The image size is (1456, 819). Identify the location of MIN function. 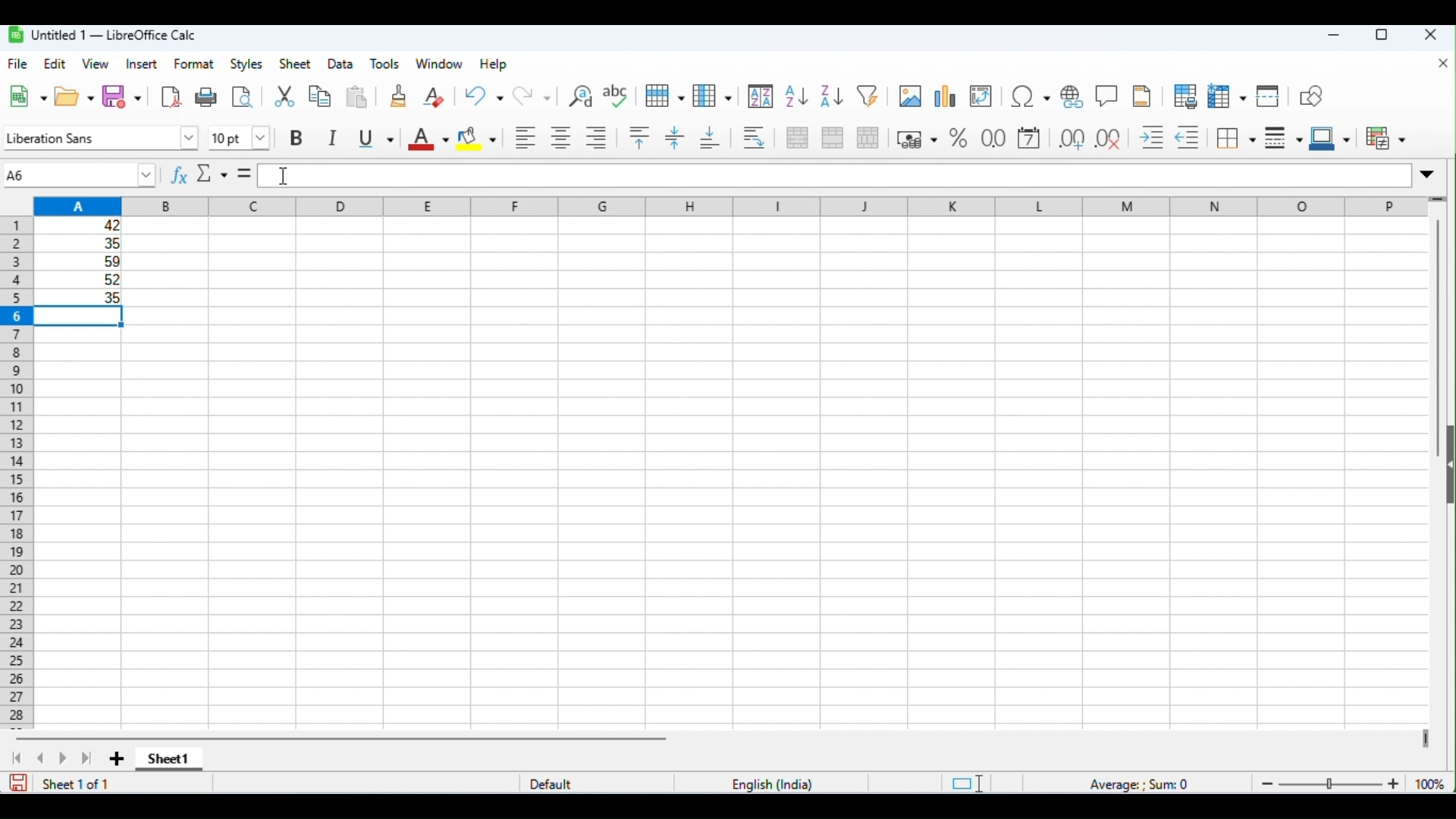
(83, 176).